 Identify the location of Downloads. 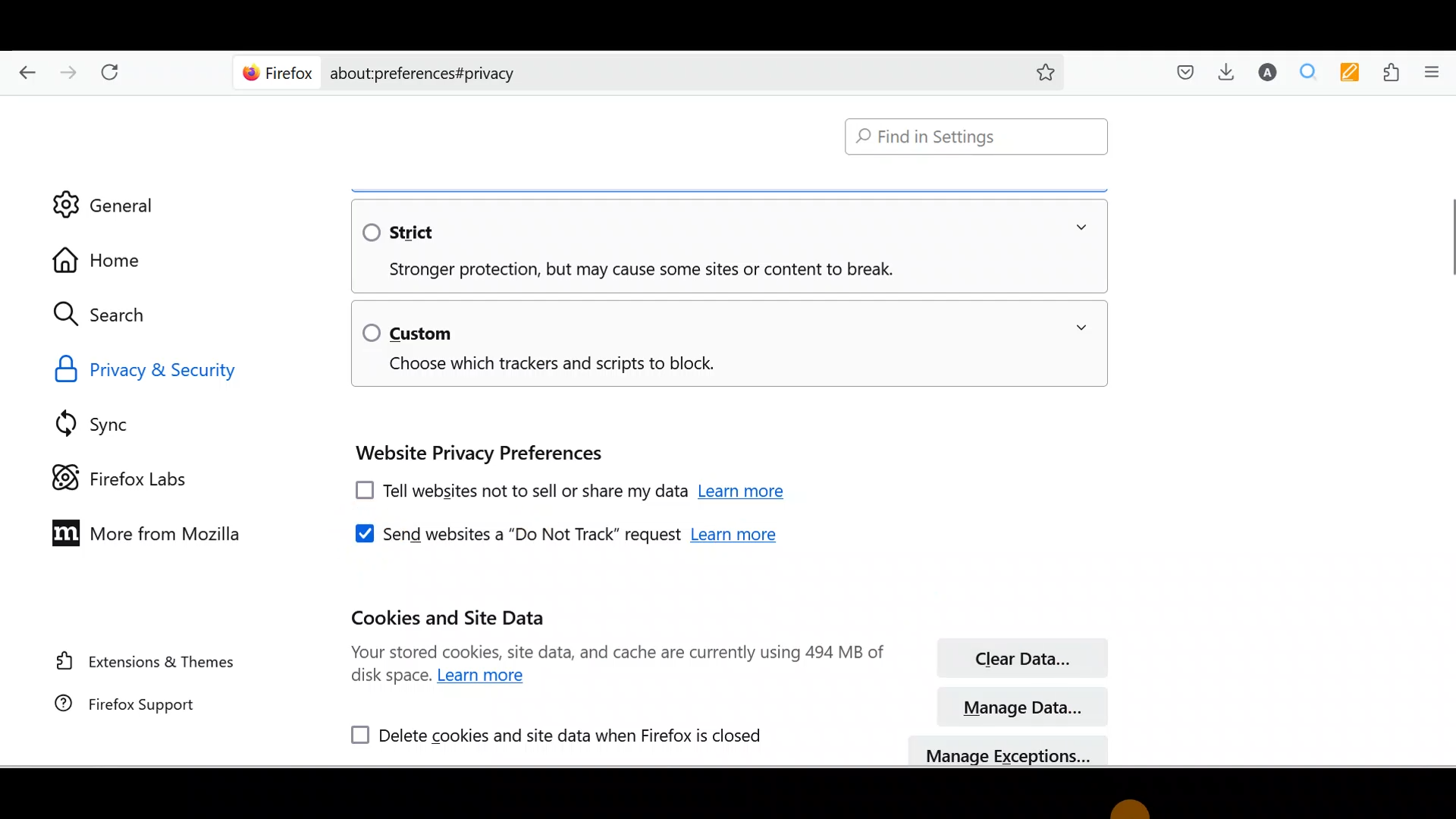
(1230, 71).